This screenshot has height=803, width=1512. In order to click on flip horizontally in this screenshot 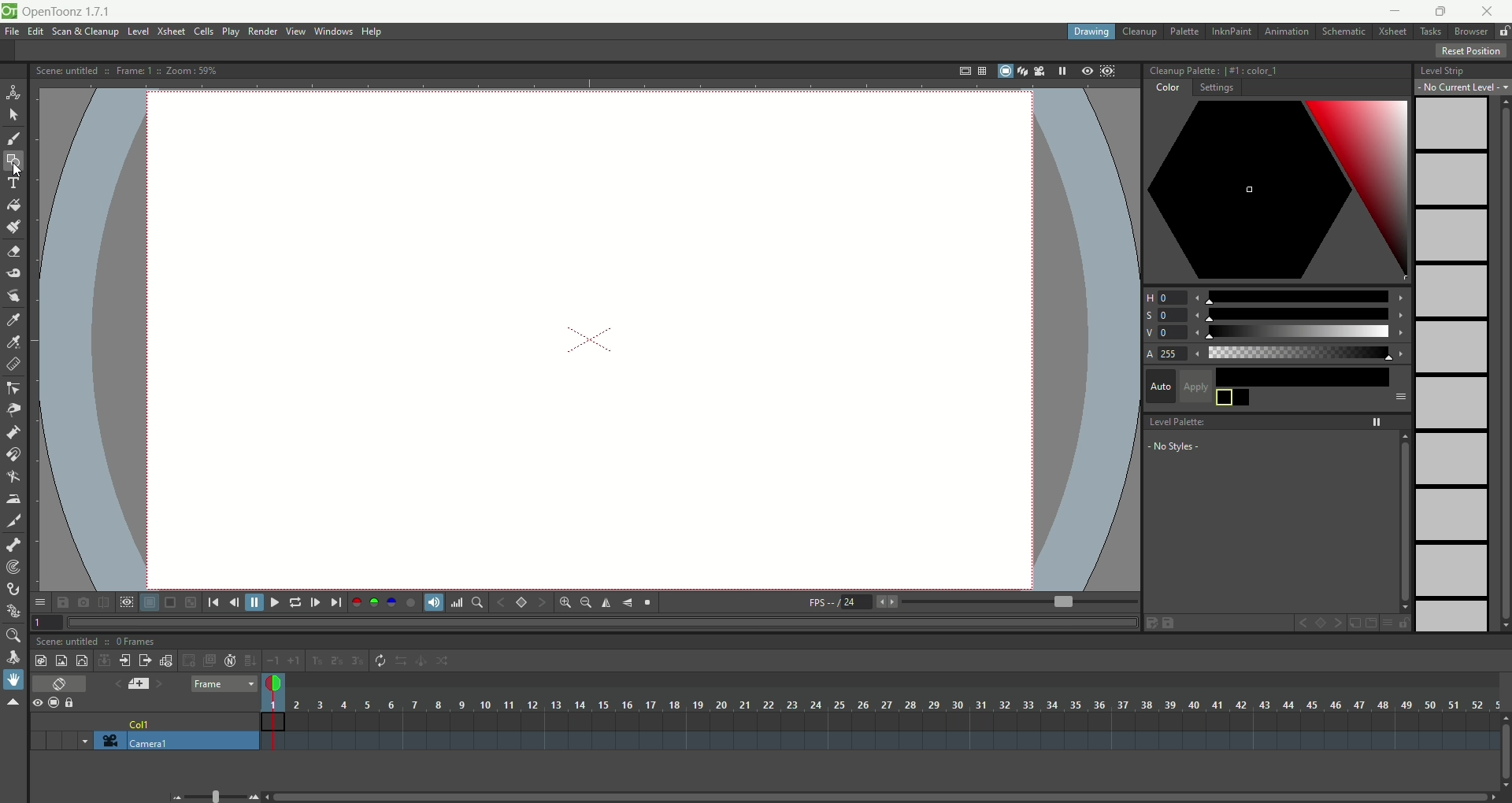, I will do `click(606, 603)`.